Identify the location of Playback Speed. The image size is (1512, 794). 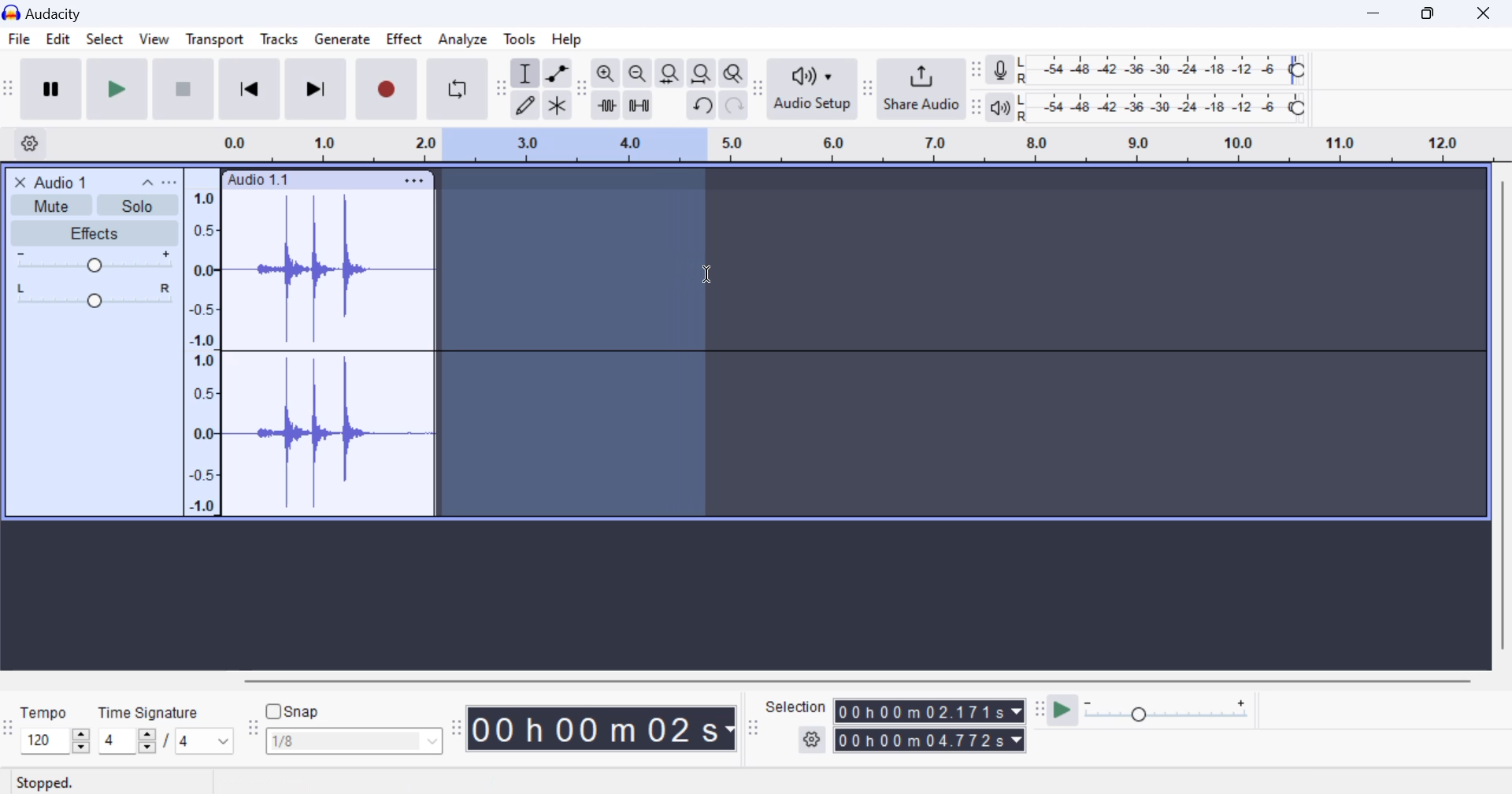
(1176, 712).